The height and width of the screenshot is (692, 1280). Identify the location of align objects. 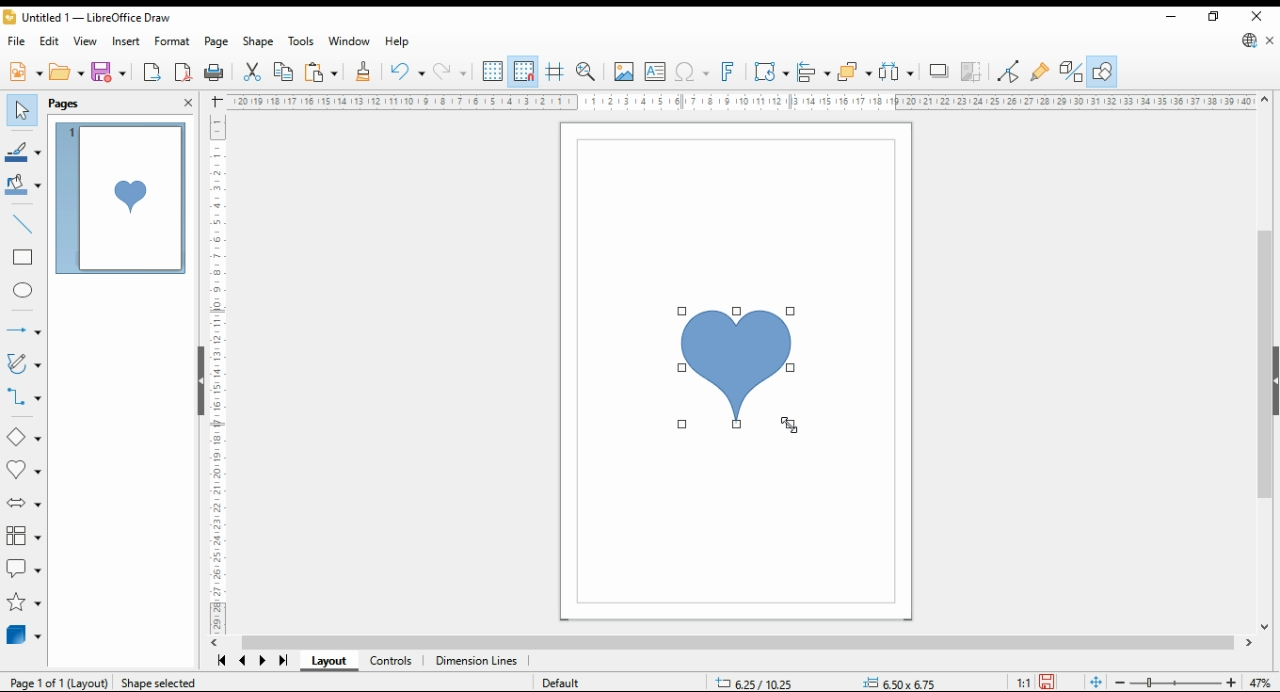
(814, 72).